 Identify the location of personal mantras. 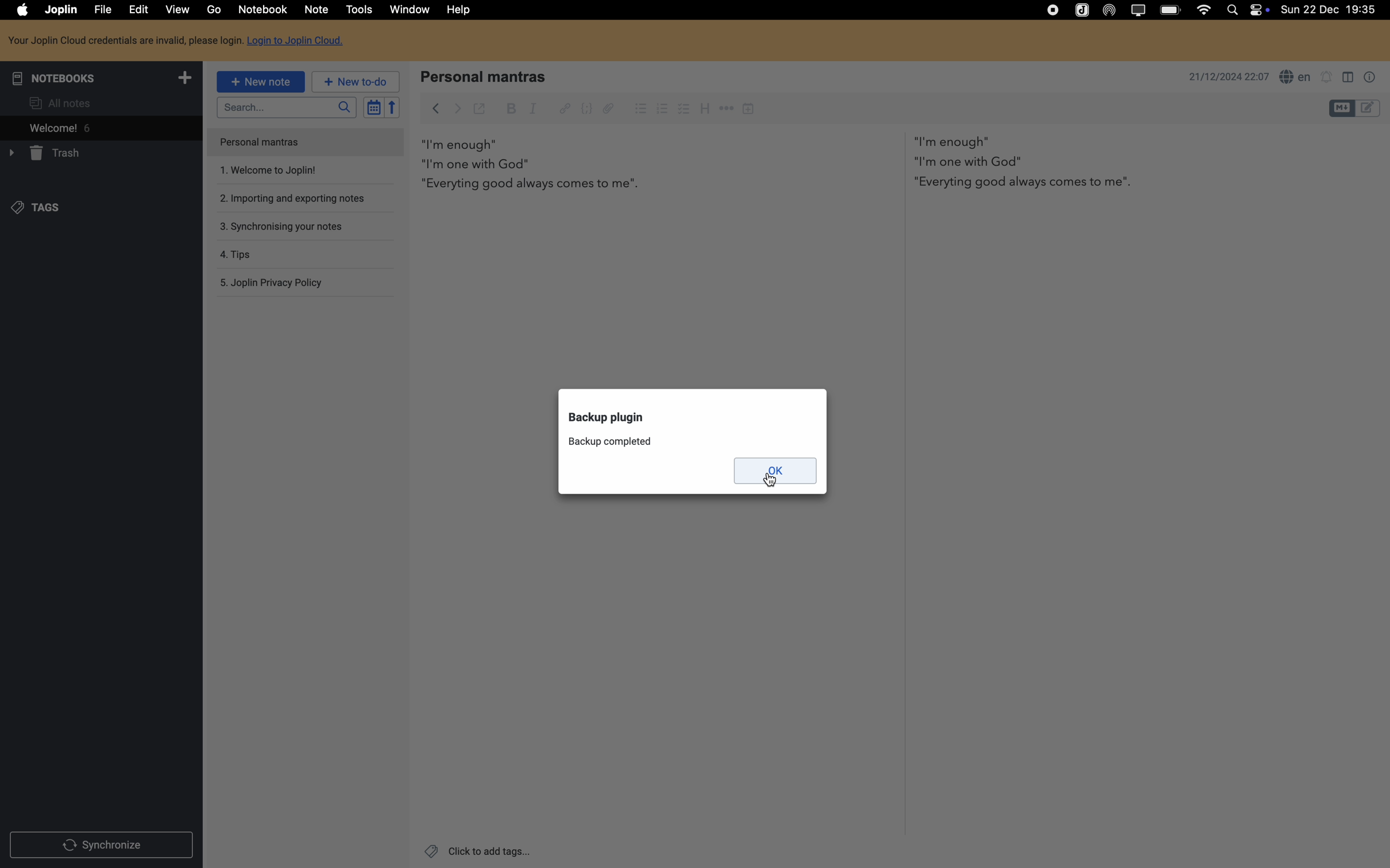
(485, 76).